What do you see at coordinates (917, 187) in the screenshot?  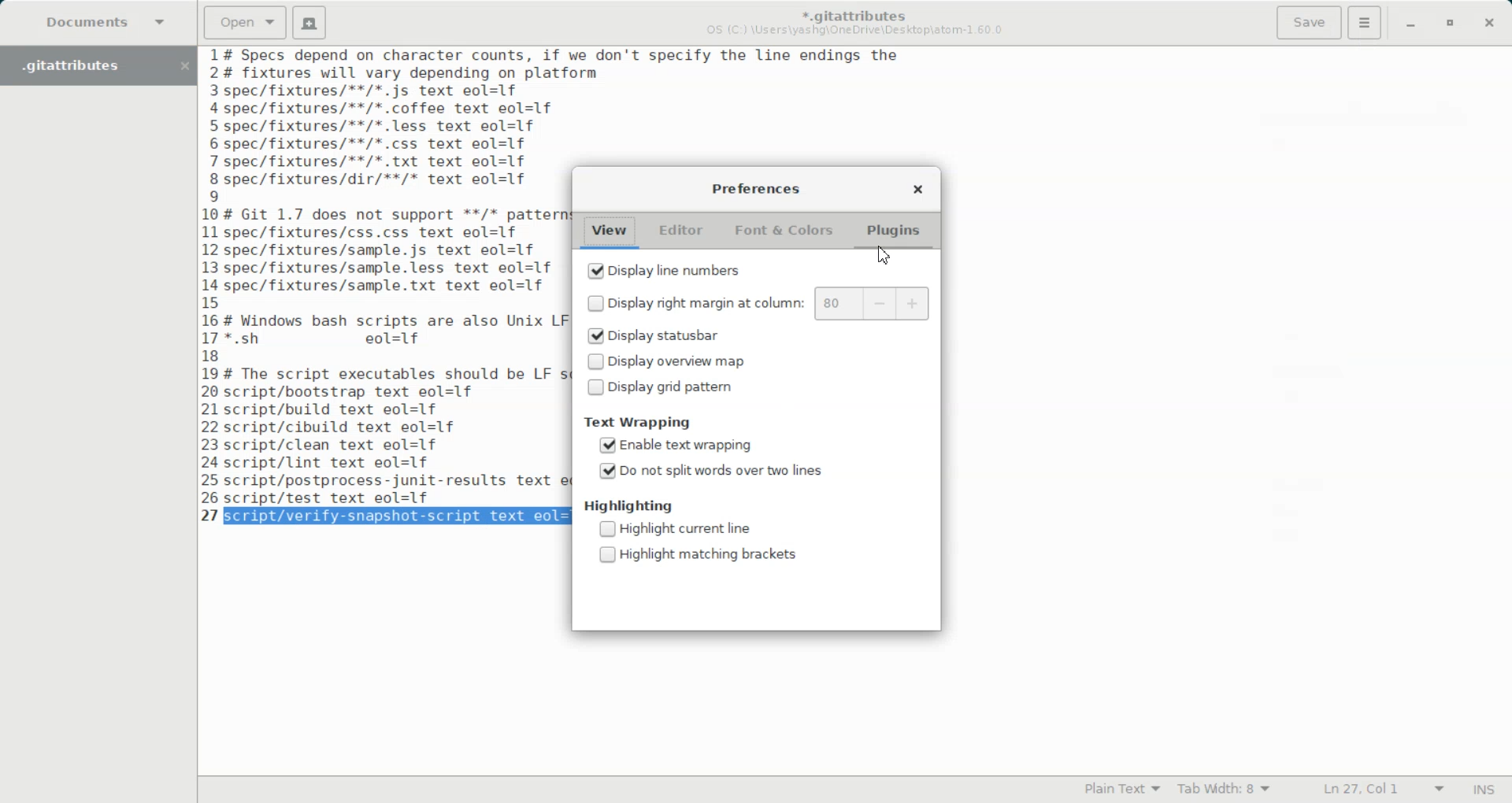 I see `Close` at bounding box center [917, 187].